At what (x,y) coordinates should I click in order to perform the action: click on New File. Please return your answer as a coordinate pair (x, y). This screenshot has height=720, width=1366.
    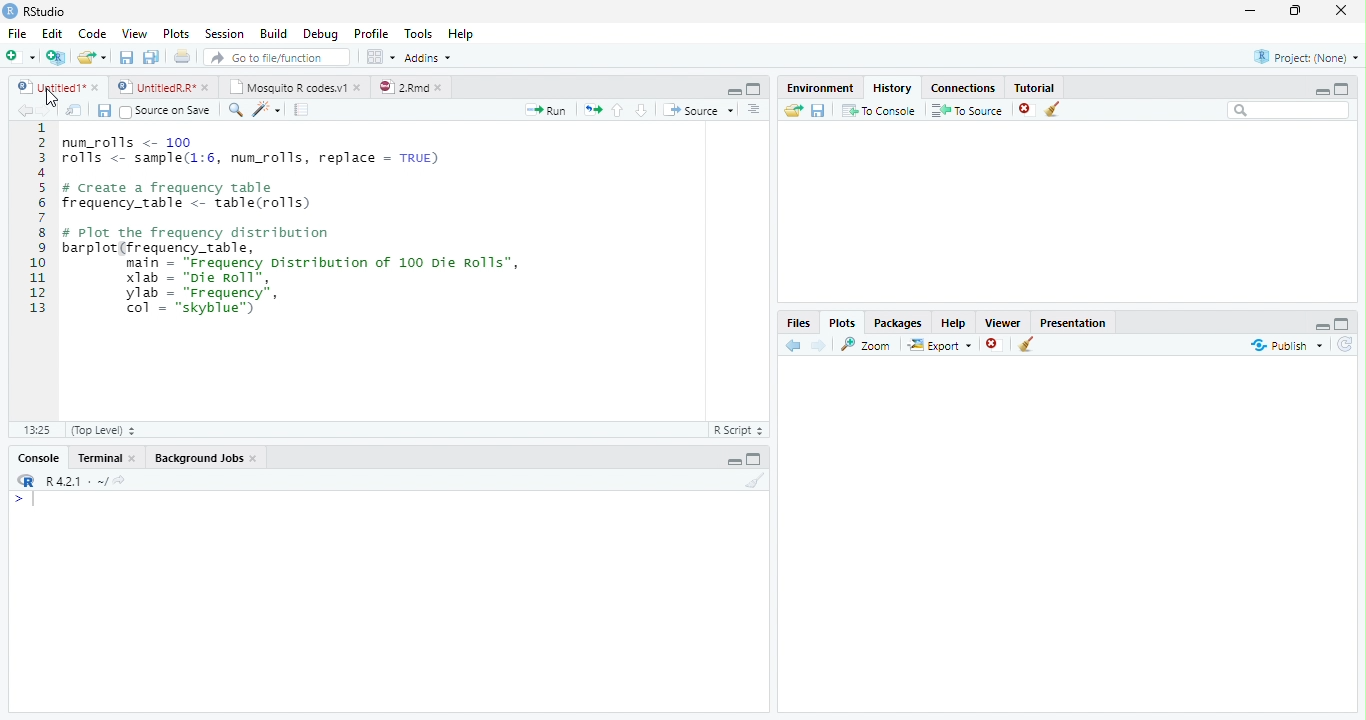
    Looking at the image, I should click on (20, 56).